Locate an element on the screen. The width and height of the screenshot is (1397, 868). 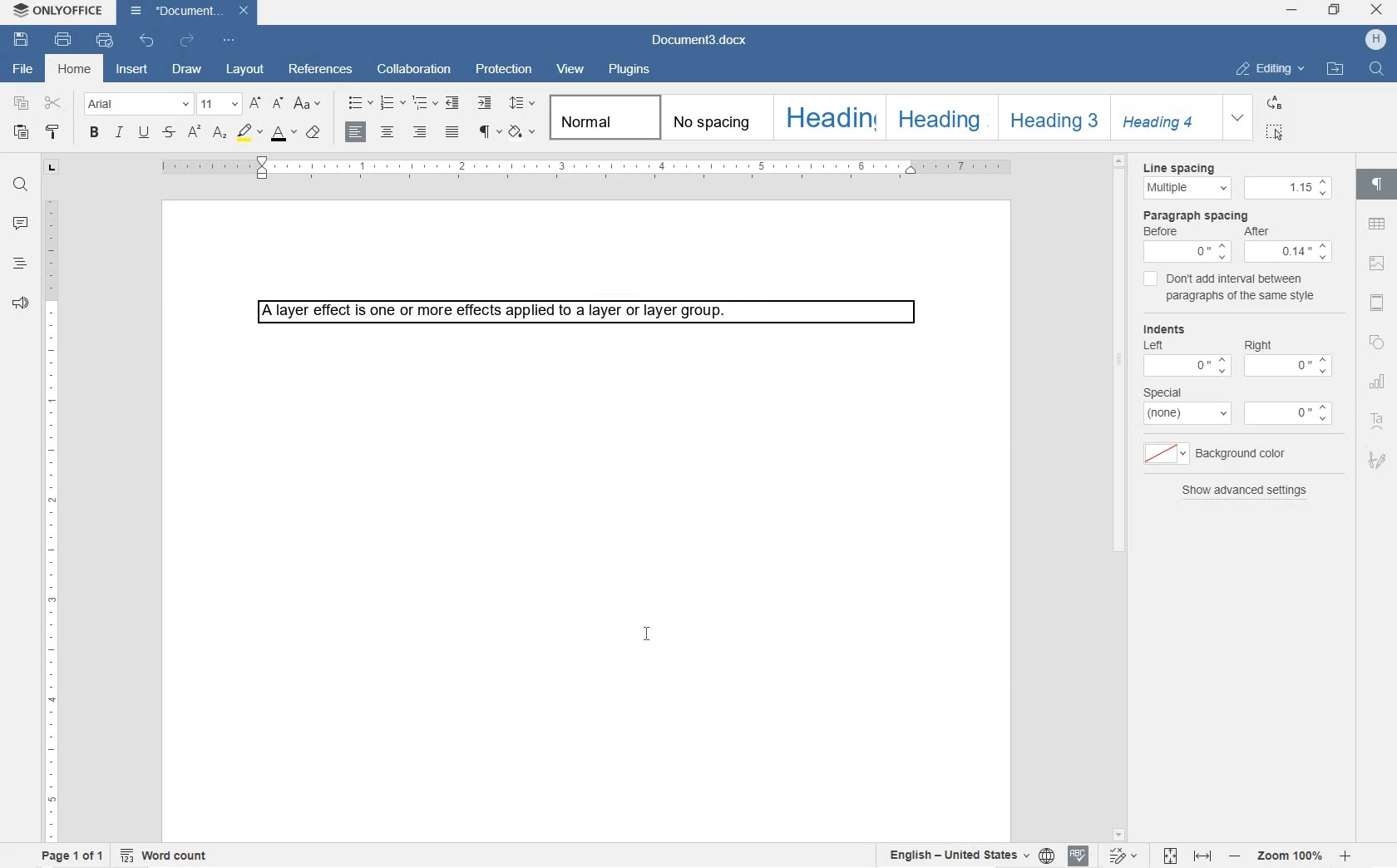
IMAGE is located at coordinates (1378, 264).